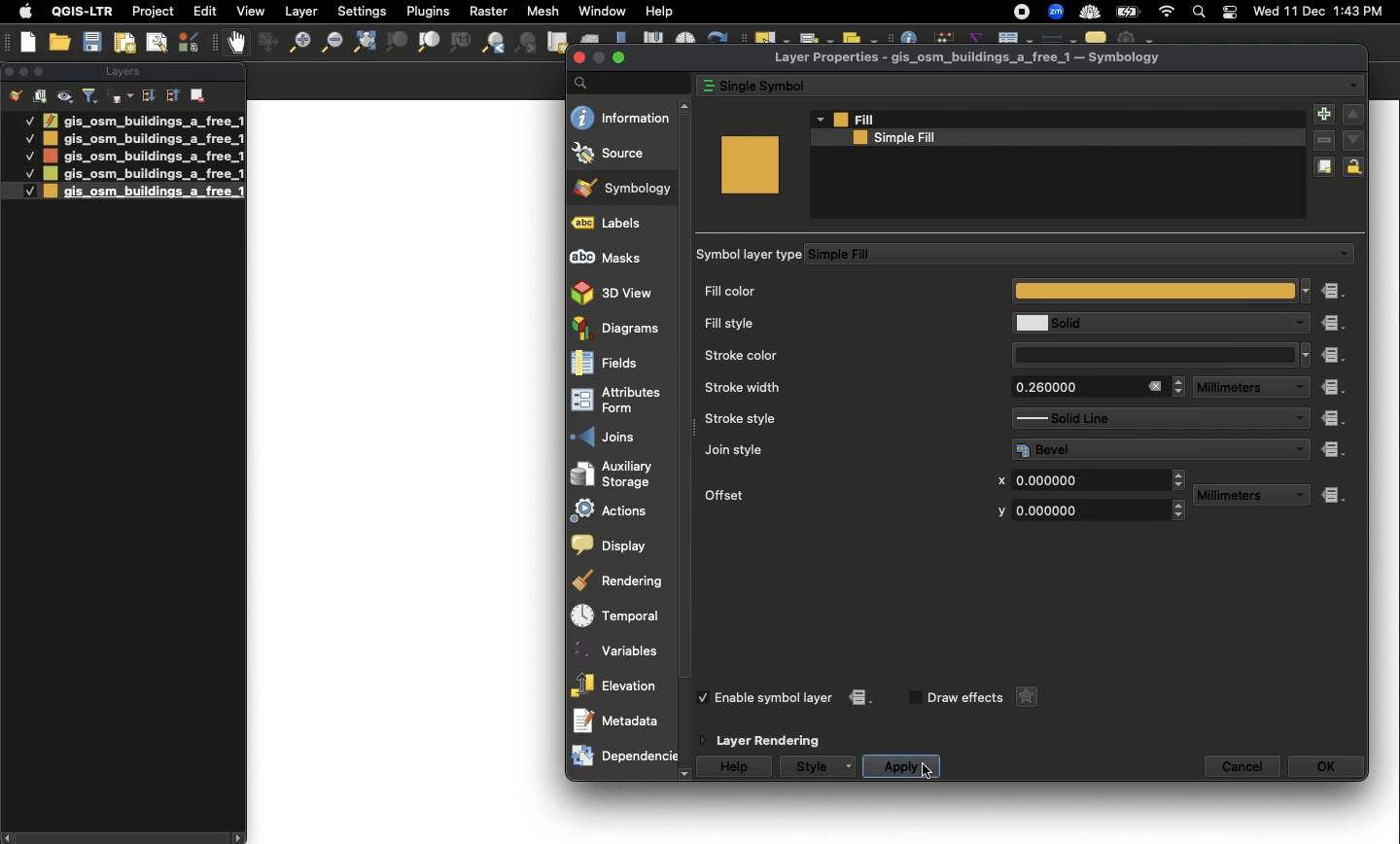 This screenshot has height=844, width=1400. Describe the element at coordinates (1298, 388) in the screenshot. I see `Drop down` at that location.